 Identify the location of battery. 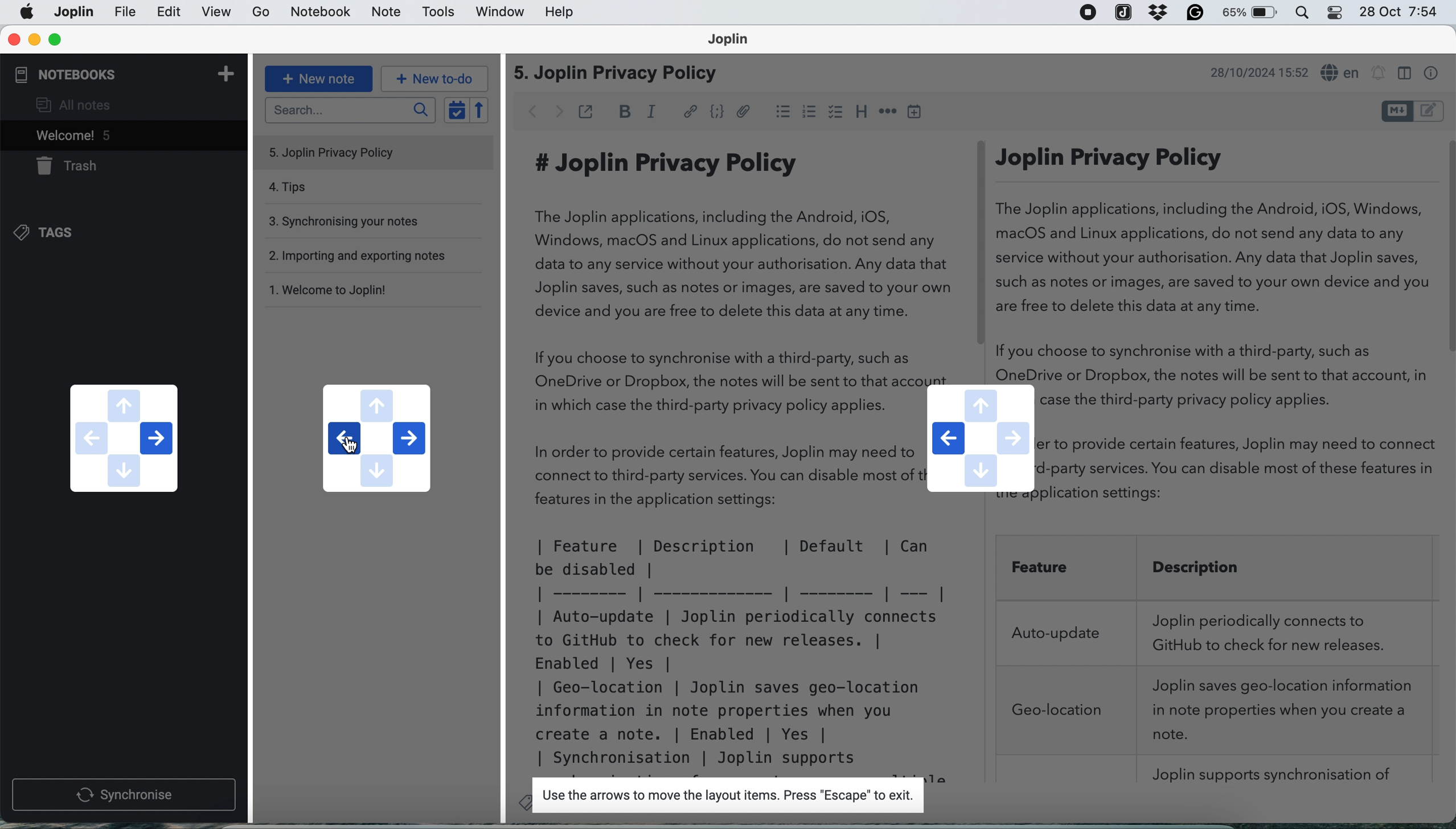
(1252, 14).